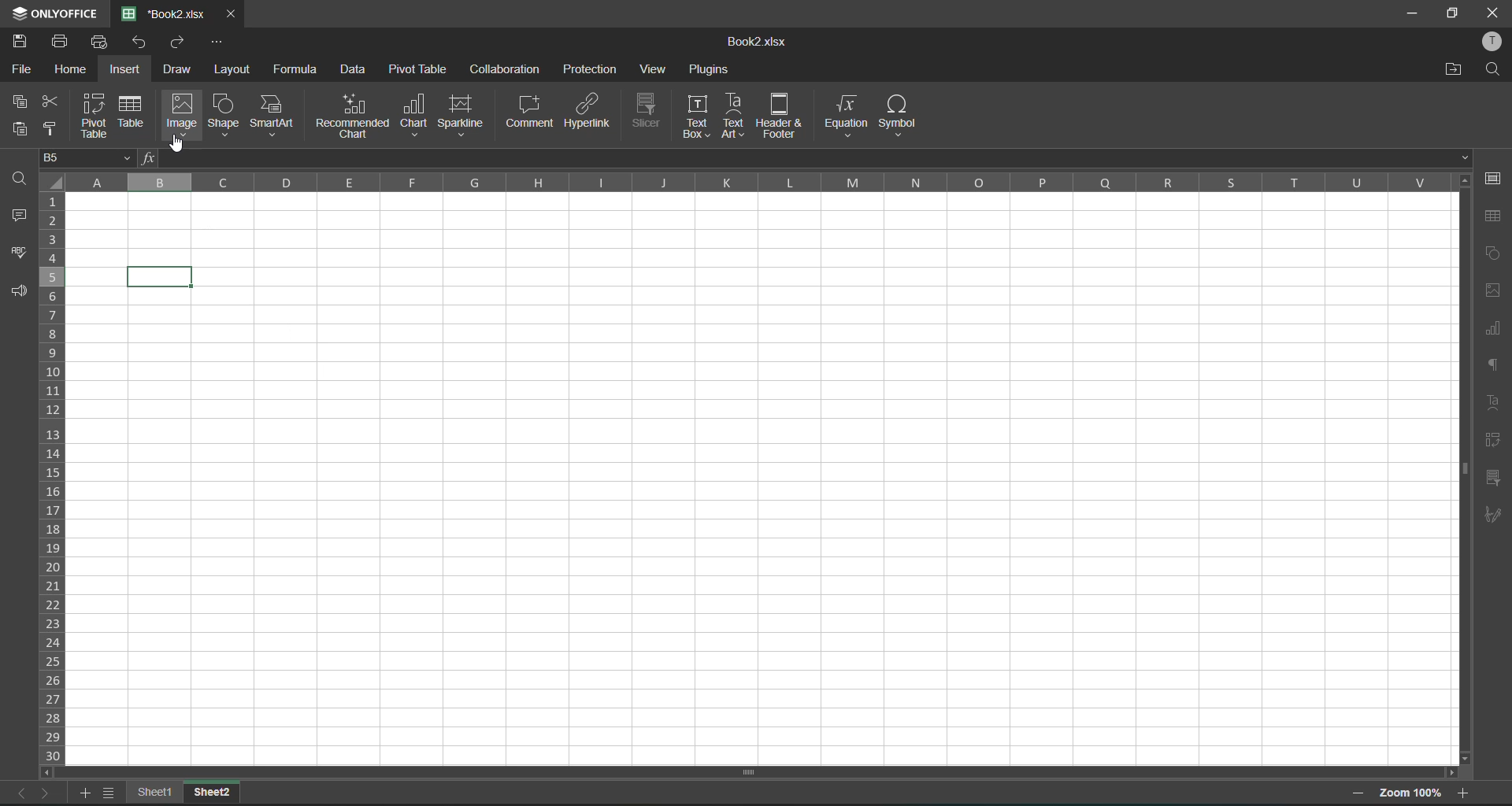 The image size is (1512, 806). What do you see at coordinates (417, 114) in the screenshot?
I see `chart` at bounding box center [417, 114].